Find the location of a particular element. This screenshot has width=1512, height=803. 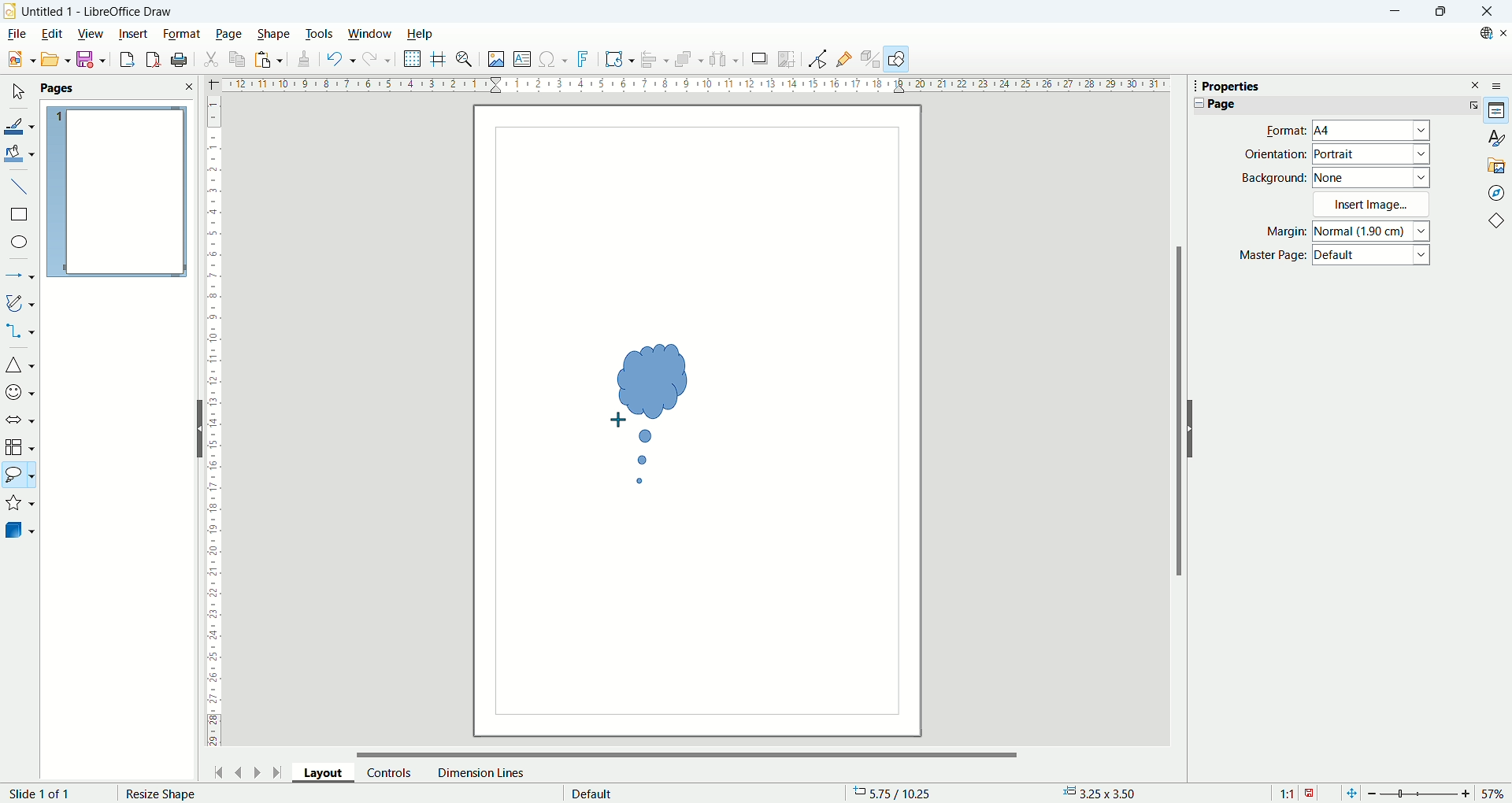

default is located at coordinates (592, 791).